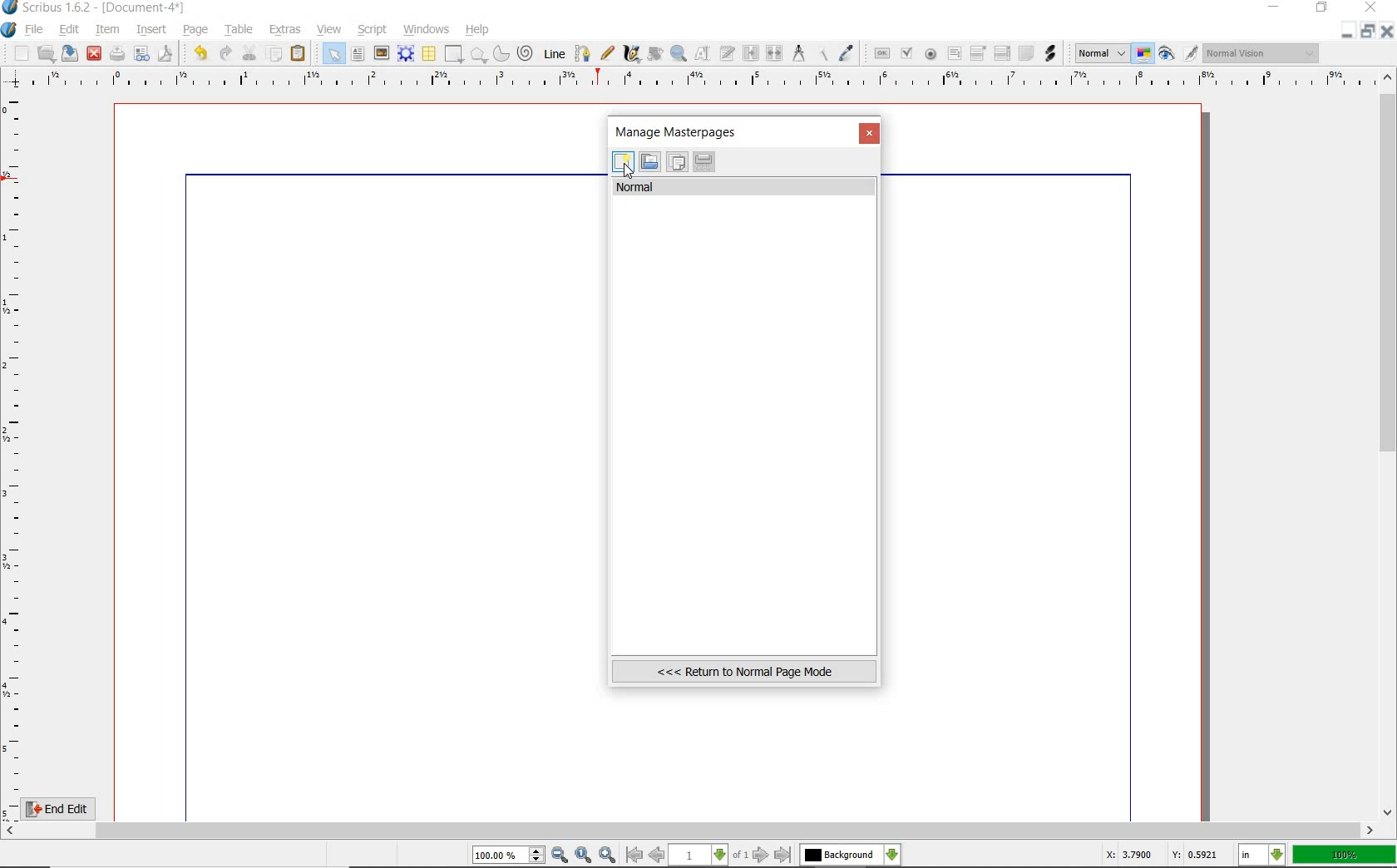 This screenshot has height=868, width=1397. What do you see at coordinates (1389, 31) in the screenshot?
I see `close` at bounding box center [1389, 31].